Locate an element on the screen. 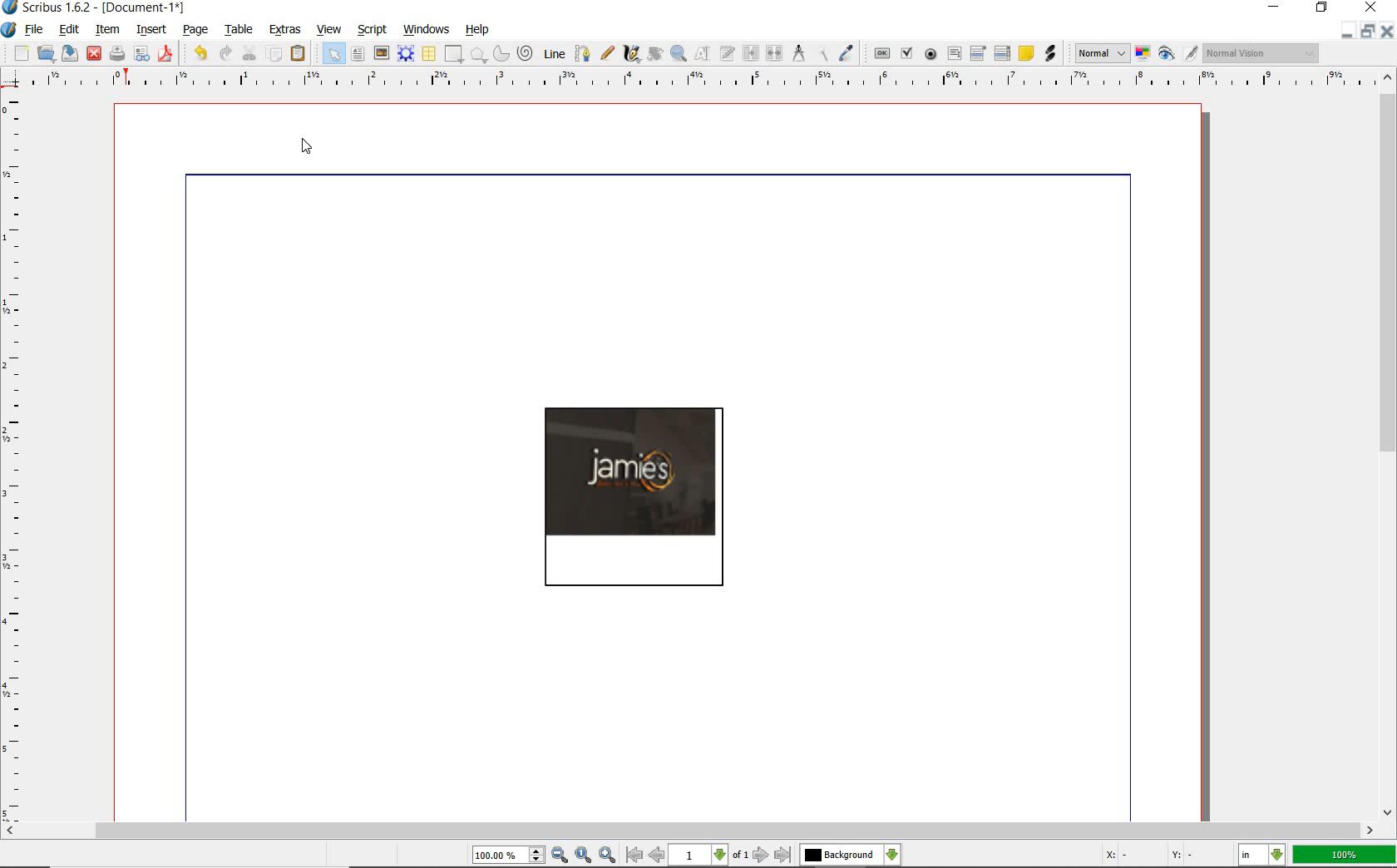  redo is located at coordinates (225, 54).